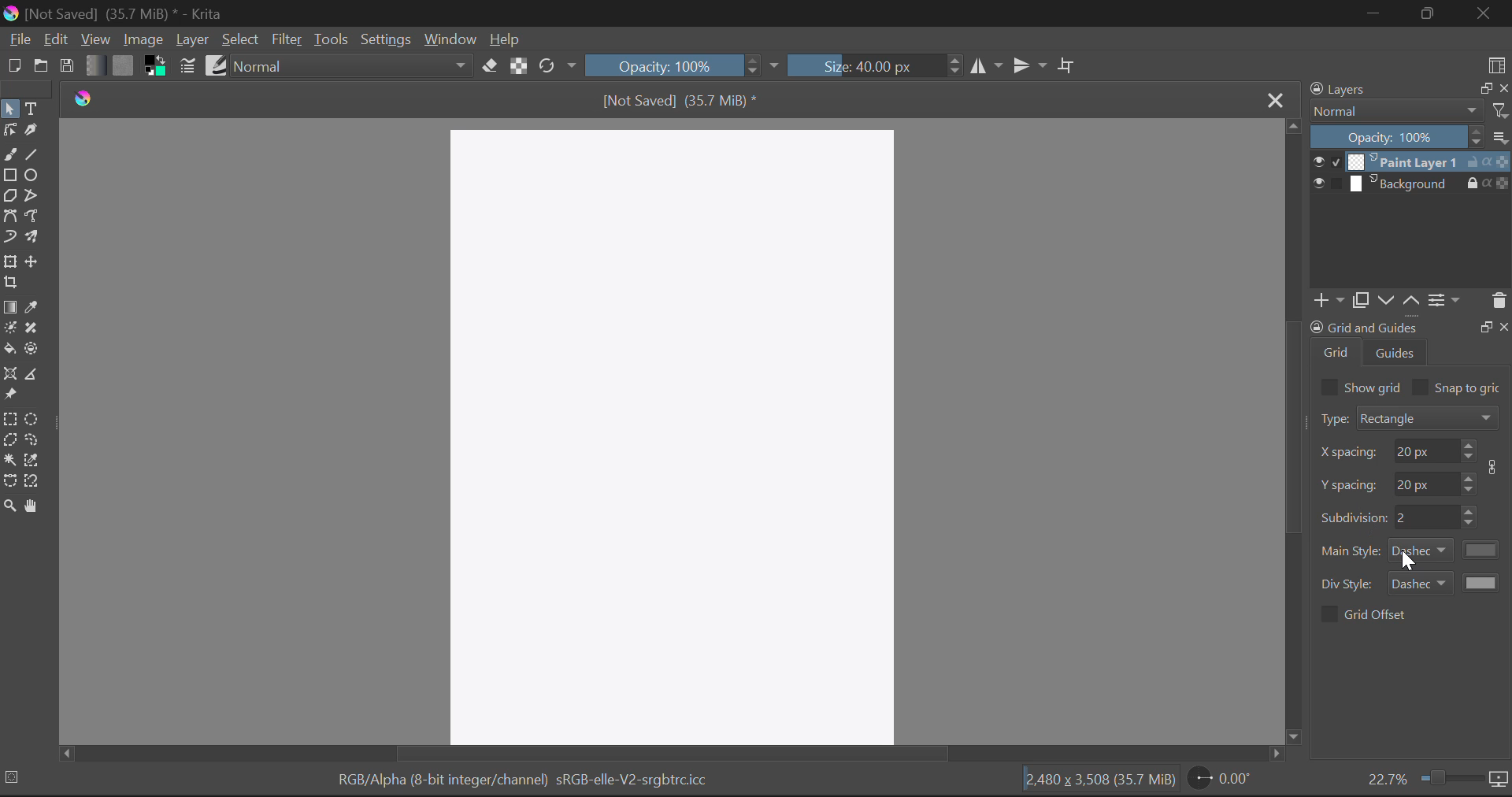  I want to click on Rectangular Selection, so click(11, 421).